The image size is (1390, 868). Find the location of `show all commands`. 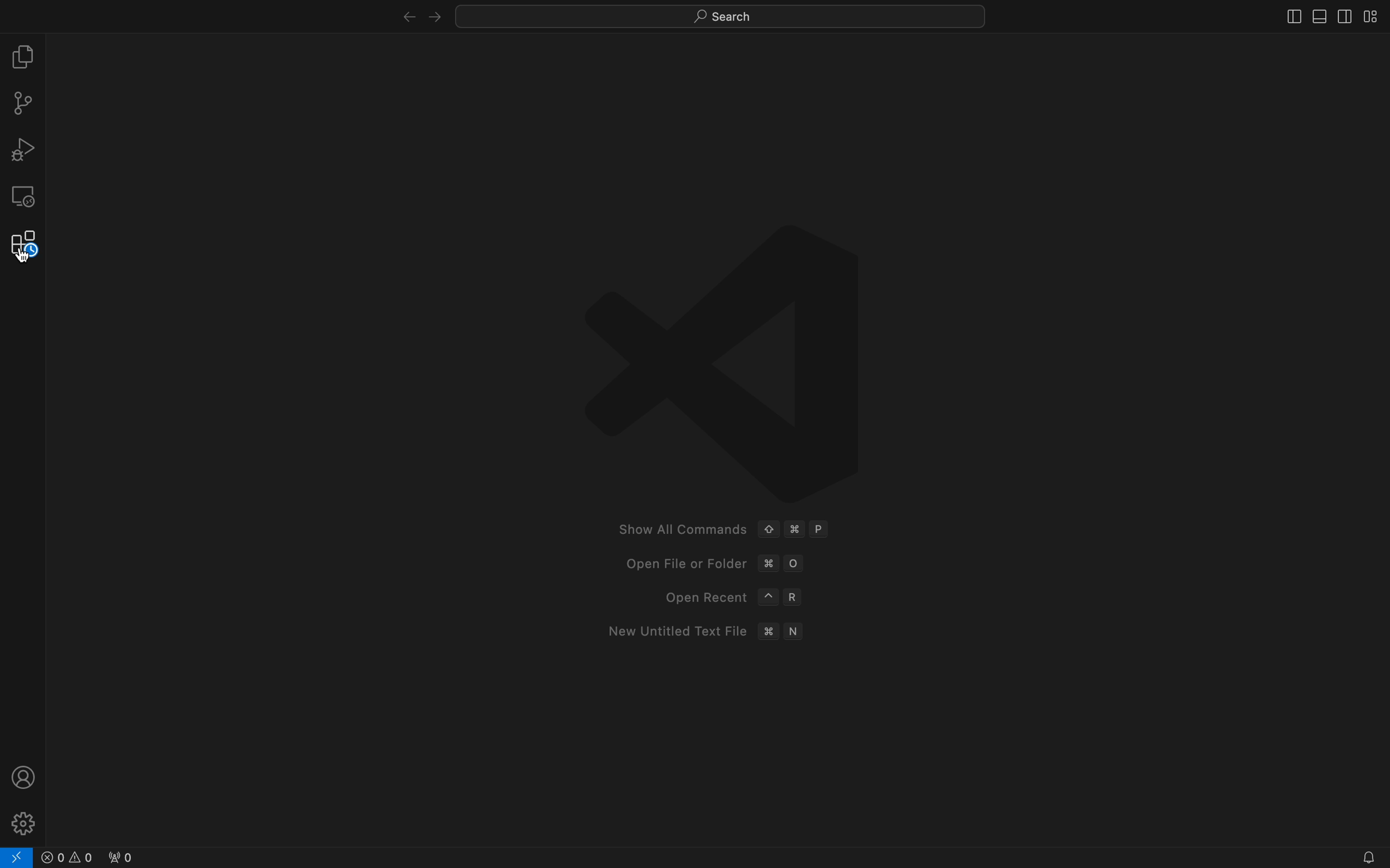

show all commands is located at coordinates (727, 529).